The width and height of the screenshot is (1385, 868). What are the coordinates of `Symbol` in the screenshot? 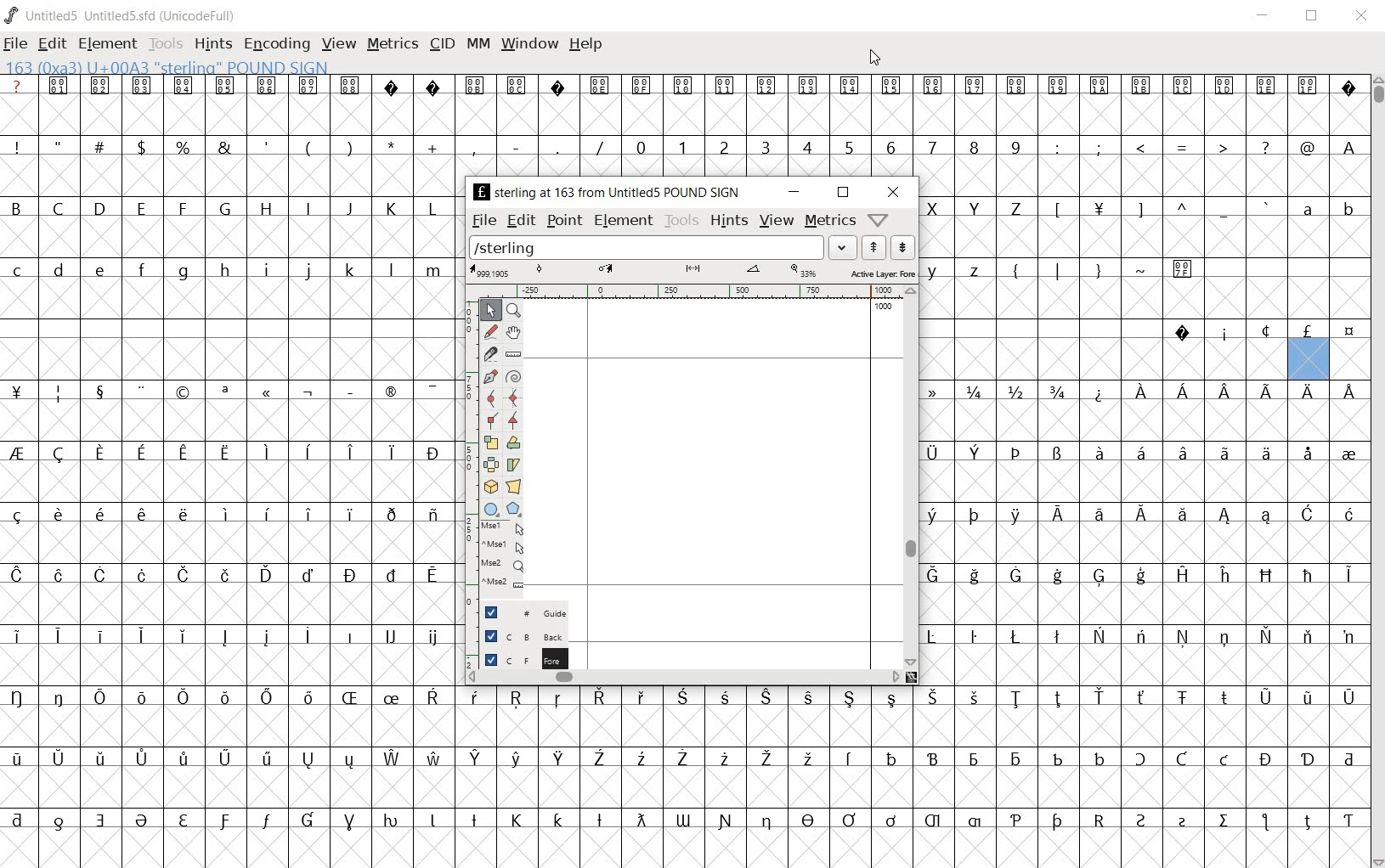 It's located at (1224, 332).